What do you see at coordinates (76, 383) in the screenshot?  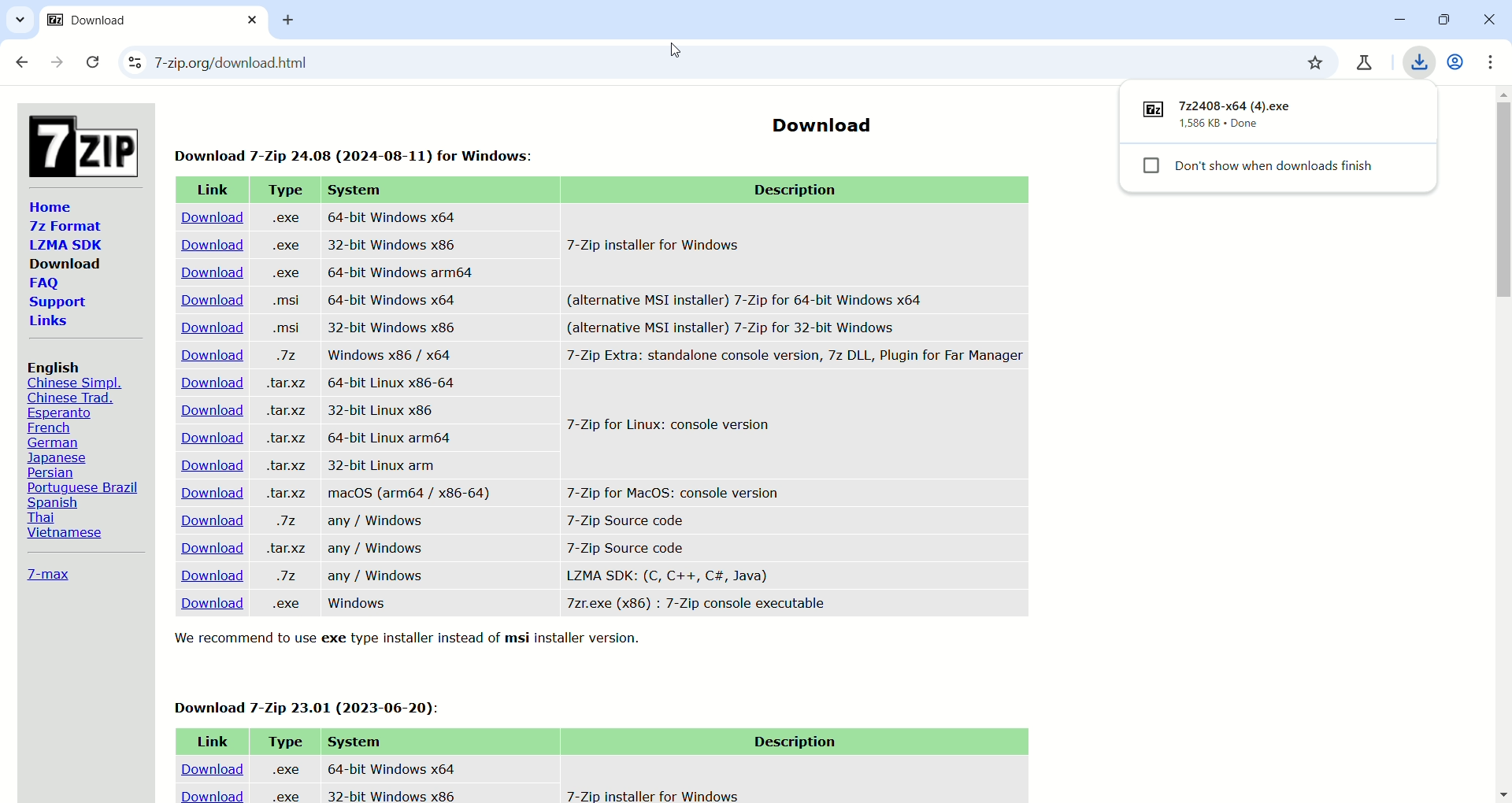 I see `Chinese Simpl.` at bounding box center [76, 383].